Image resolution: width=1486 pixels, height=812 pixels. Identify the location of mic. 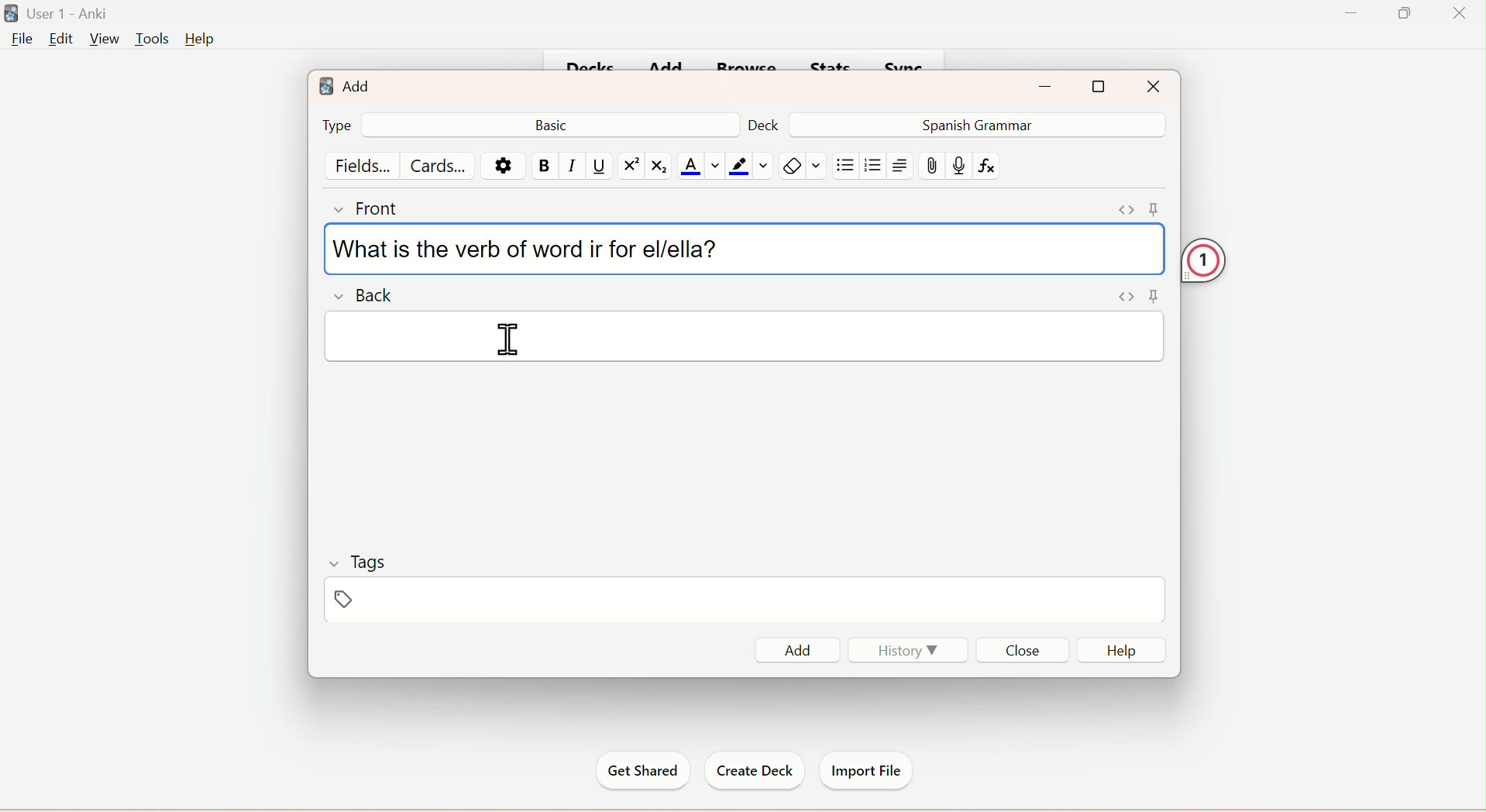
(958, 168).